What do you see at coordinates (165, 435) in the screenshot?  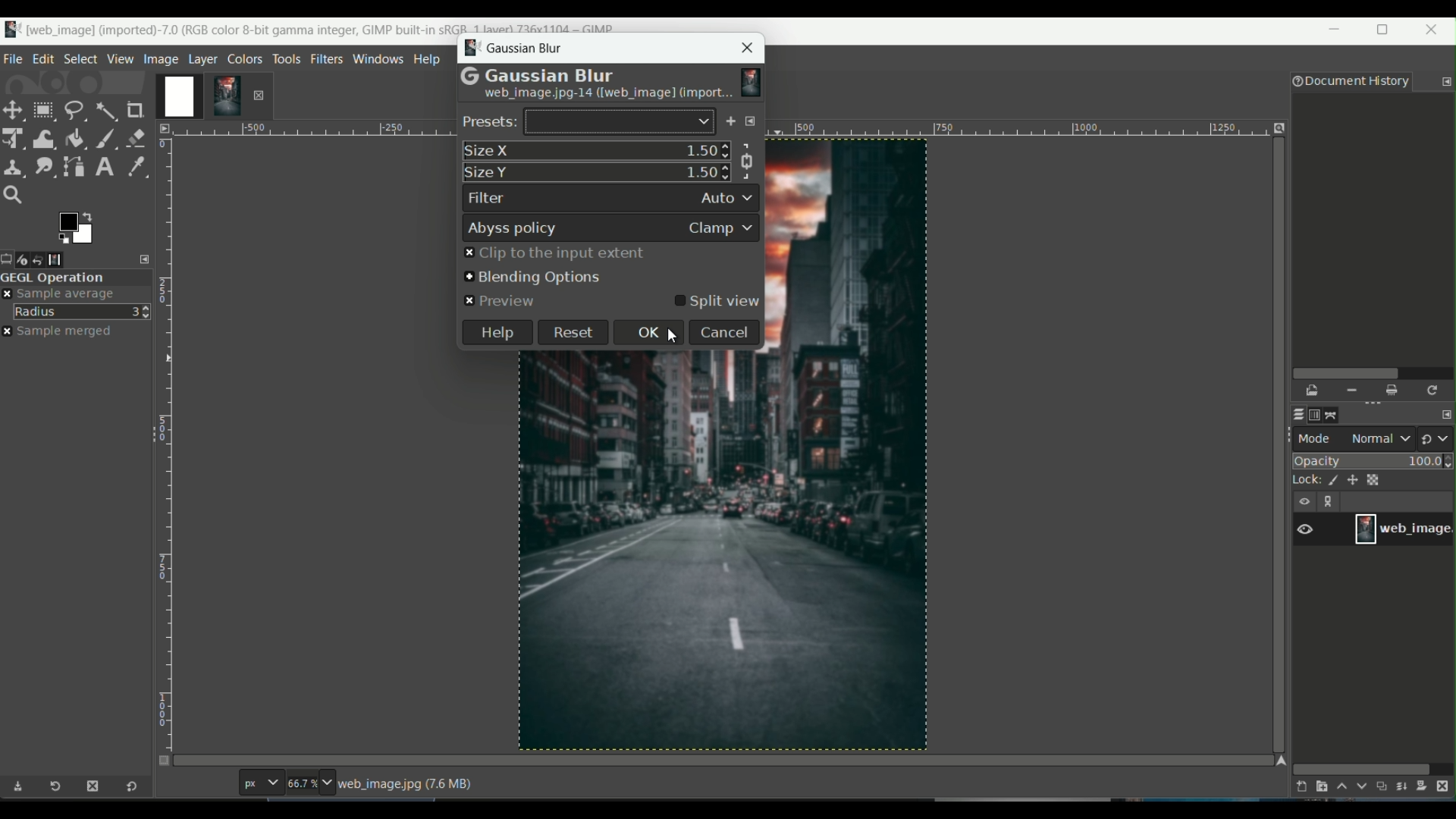 I see `length measuring layer` at bounding box center [165, 435].